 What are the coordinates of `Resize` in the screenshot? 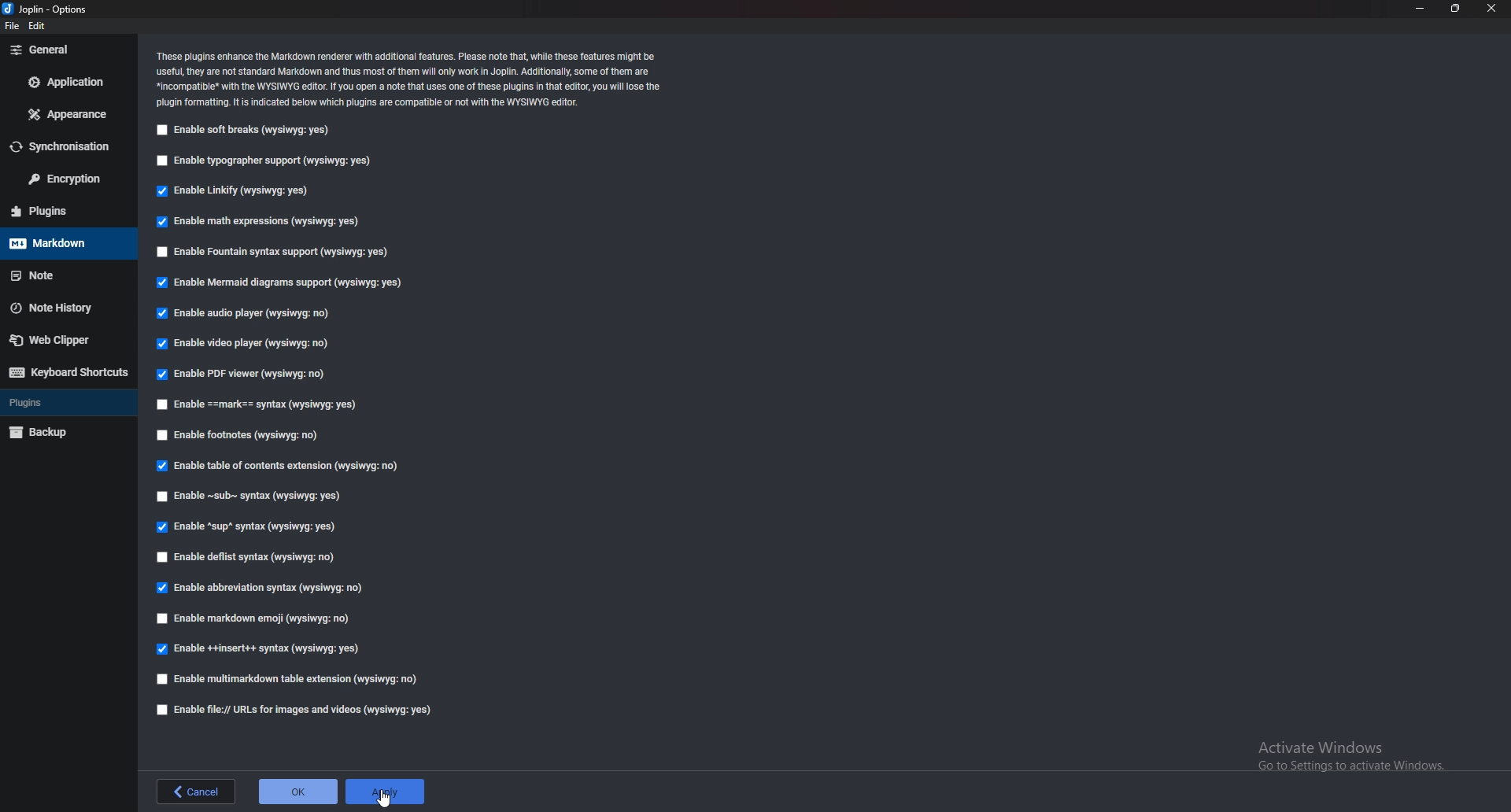 It's located at (1454, 8).